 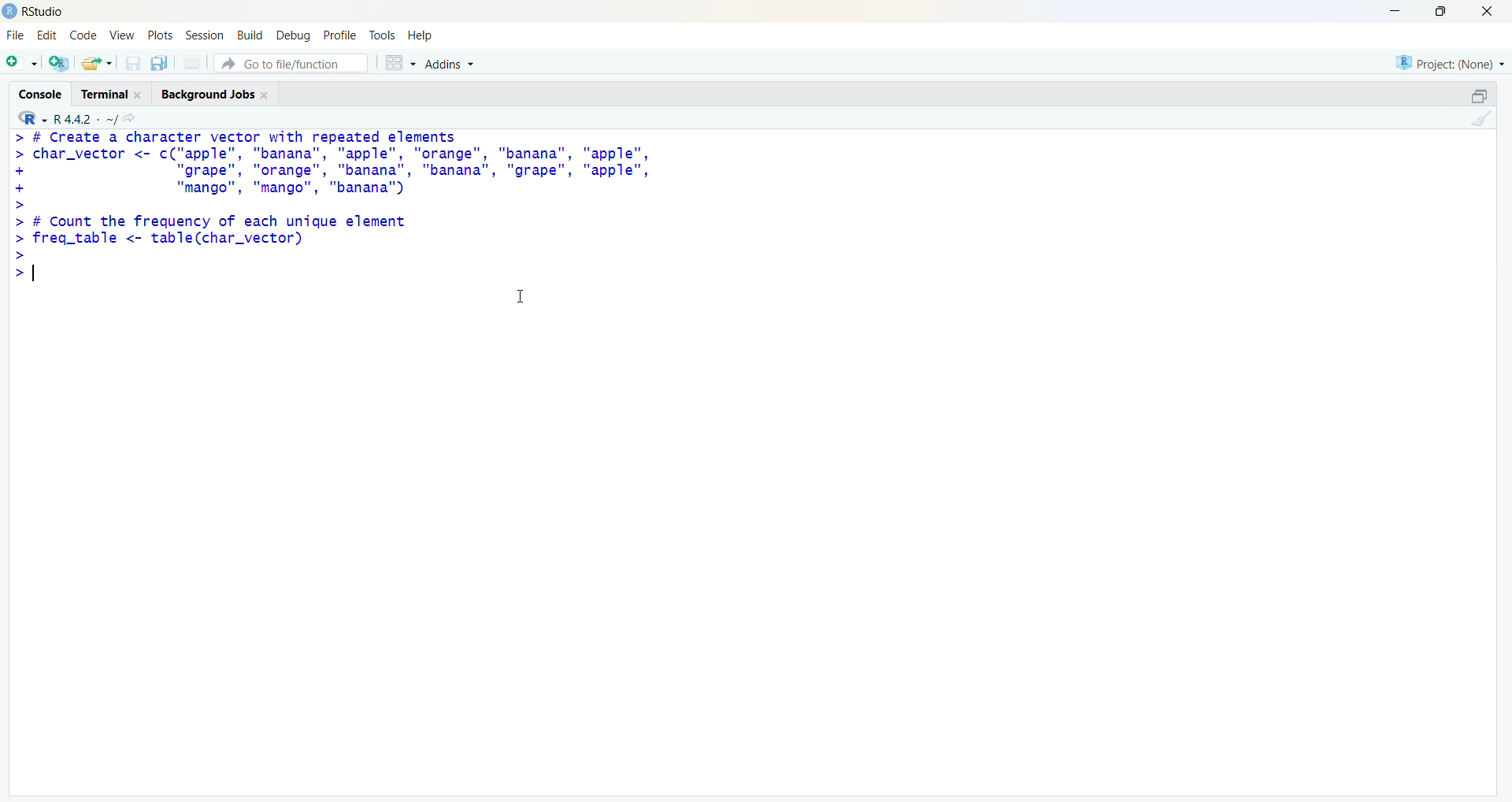 I want to click on Debug, so click(x=294, y=37).